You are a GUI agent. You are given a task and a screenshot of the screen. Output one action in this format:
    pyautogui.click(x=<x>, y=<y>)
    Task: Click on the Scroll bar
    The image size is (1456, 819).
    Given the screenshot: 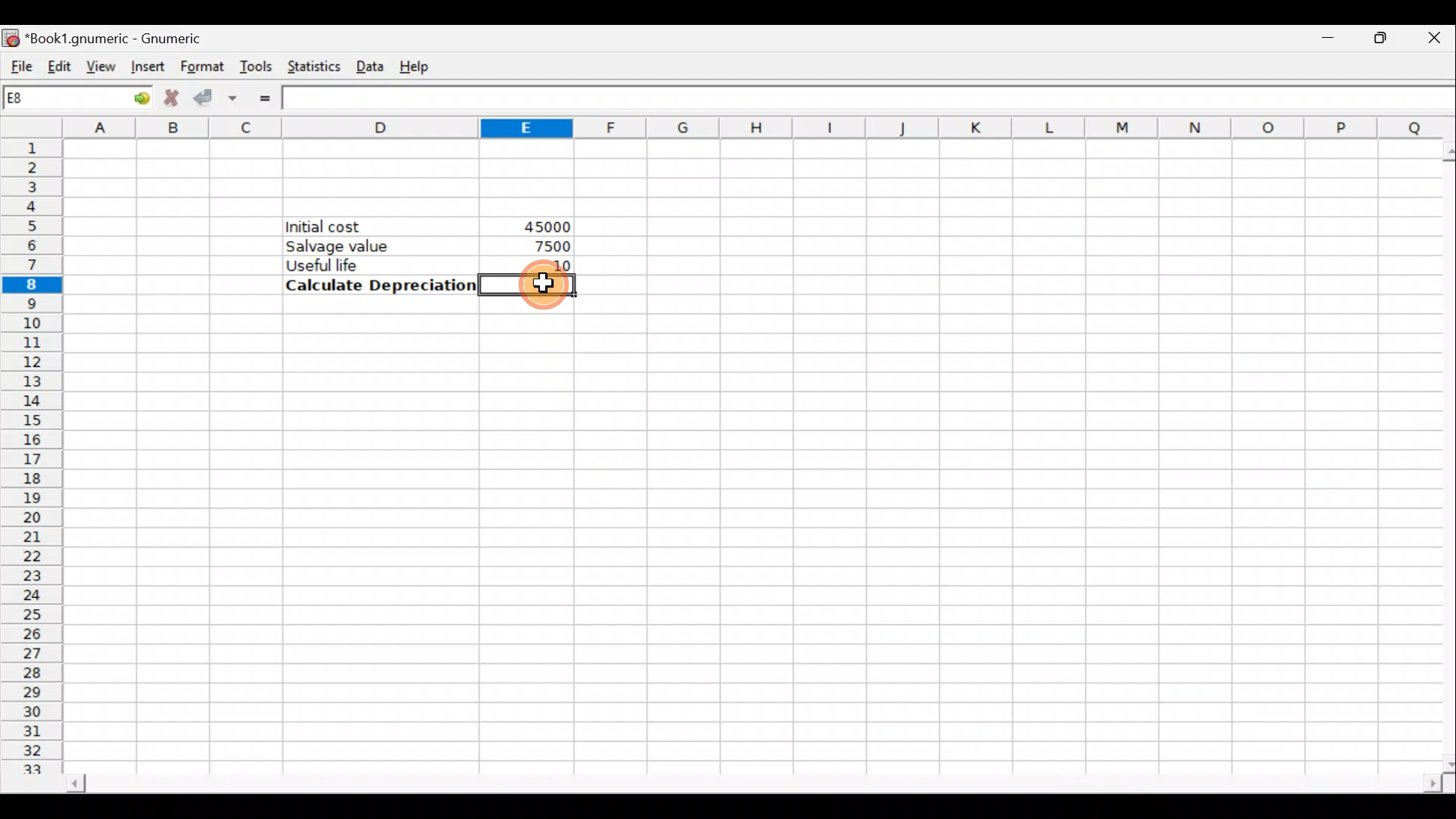 What is the action you would take?
    pyautogui.click(x=1442, y=452)
    